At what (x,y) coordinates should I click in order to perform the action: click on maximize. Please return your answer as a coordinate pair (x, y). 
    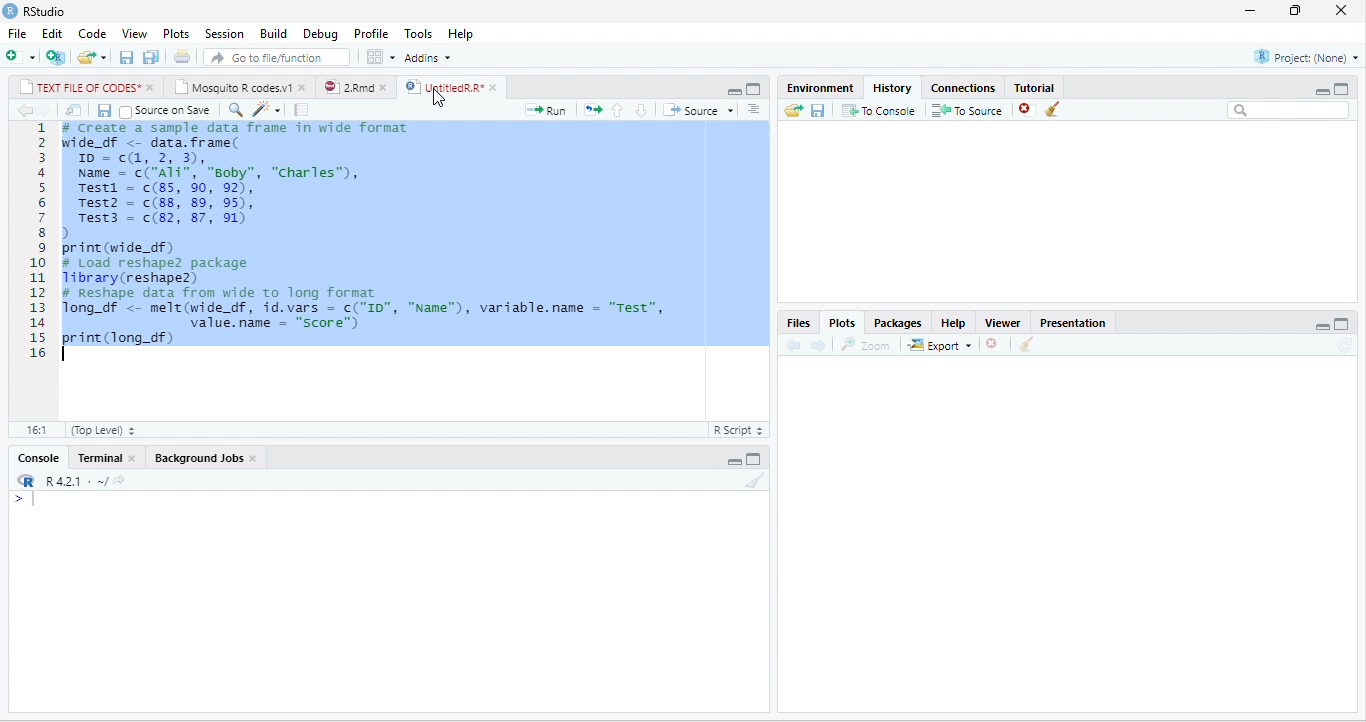
    Looking at the image, I should click on (1343, 324).